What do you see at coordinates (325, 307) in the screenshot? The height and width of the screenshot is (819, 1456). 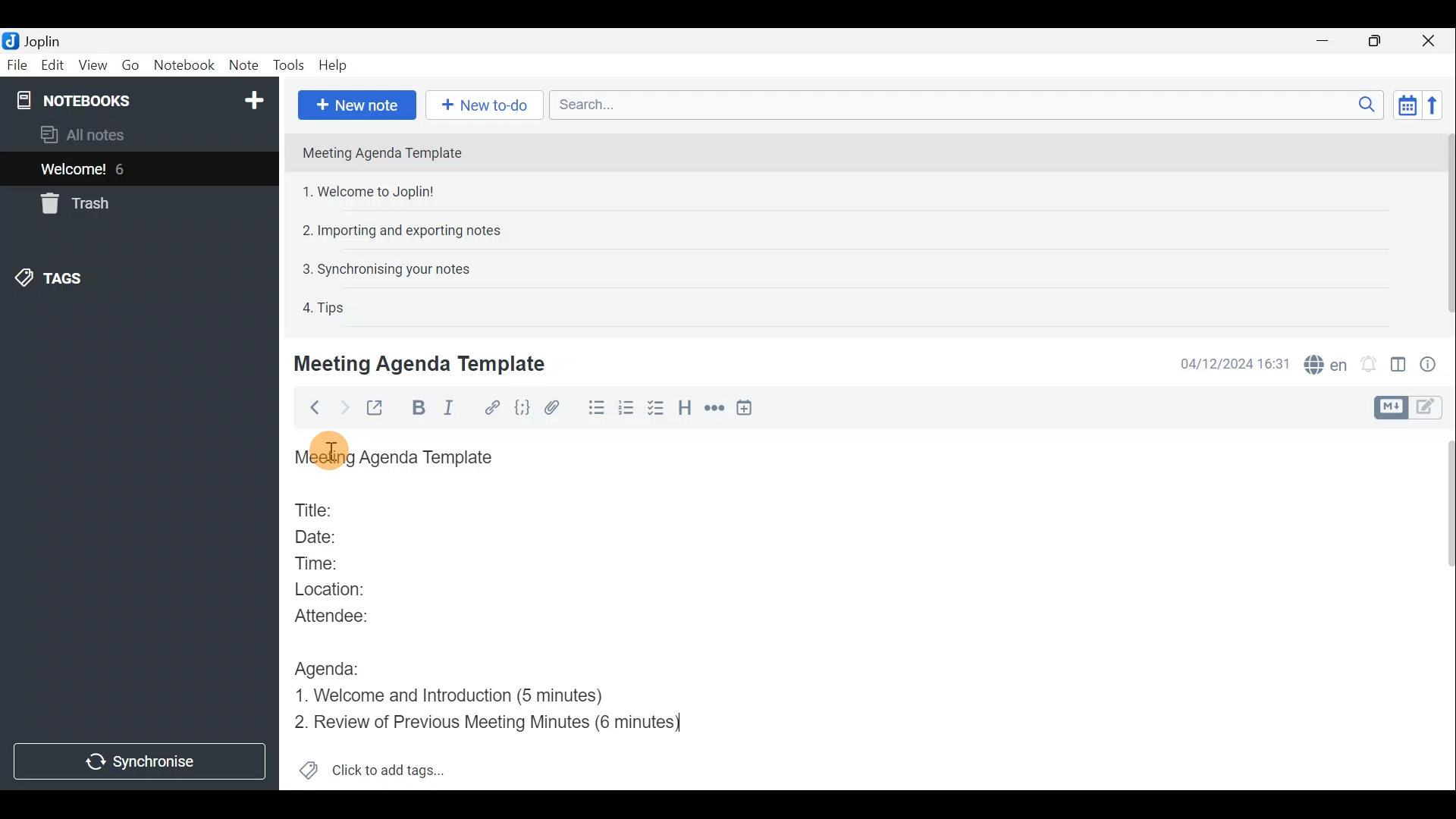 I see `4. Tips` at bounding box center [325, 307].